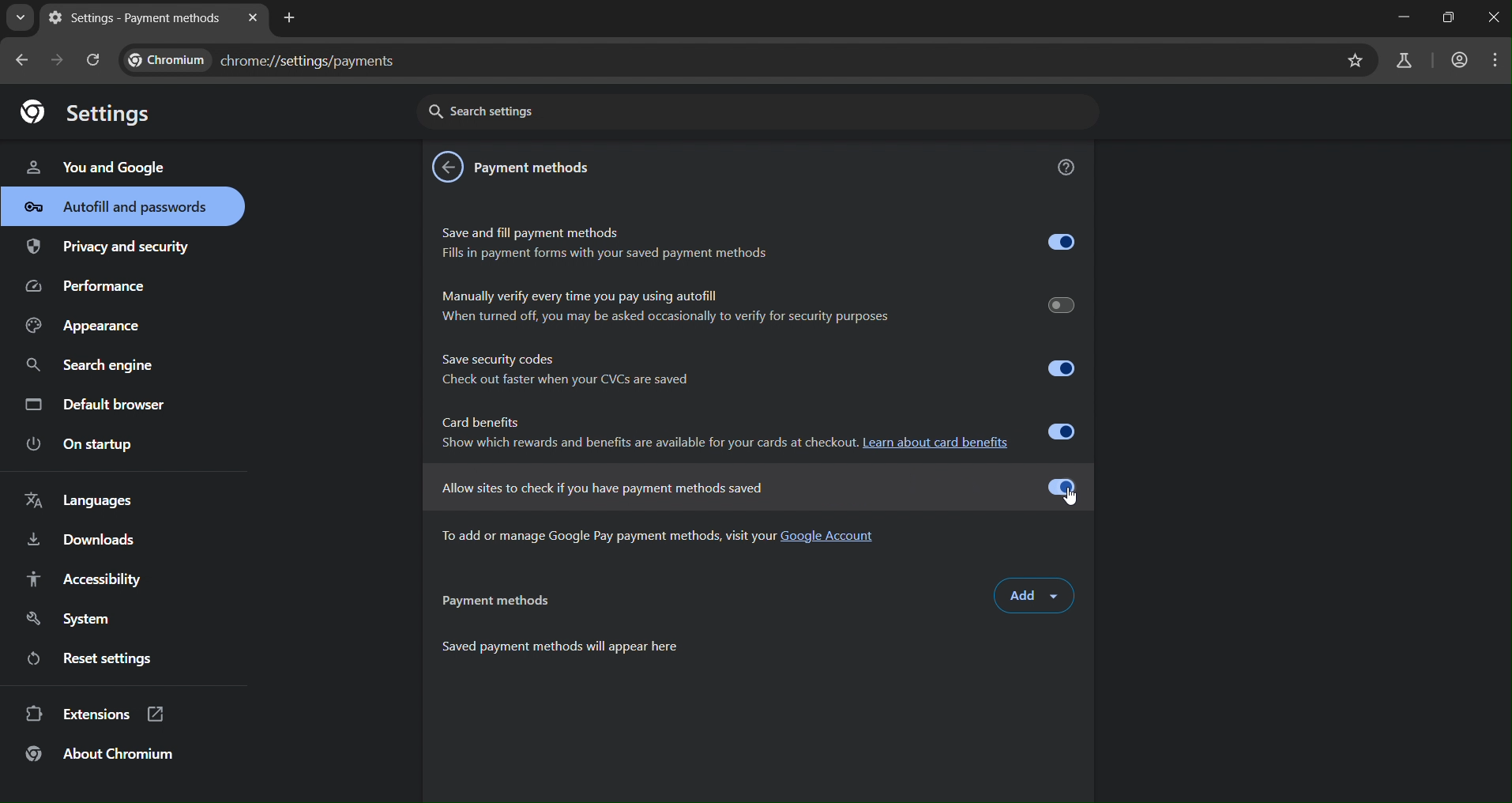 The width and height of the screenshot is (1512, 803). What do you see at coordinates (85, 579) in the screenshot?
I see `accessibility` at bounding box center [85, 579].